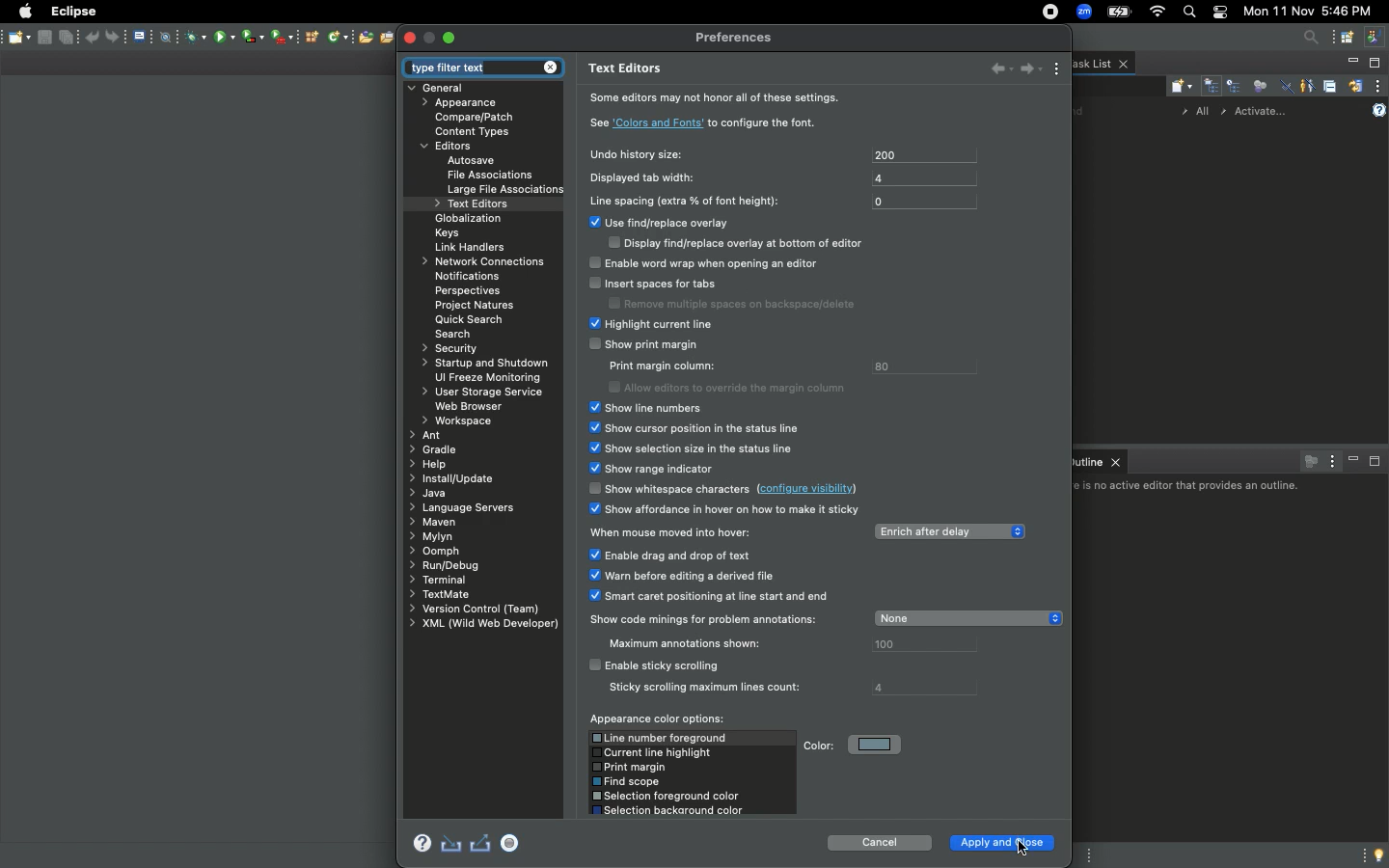  What do you see at coordinates (730, 291) in the screenshot?
I see `Insert spaces for tabs` at bounding box center [730, 291].